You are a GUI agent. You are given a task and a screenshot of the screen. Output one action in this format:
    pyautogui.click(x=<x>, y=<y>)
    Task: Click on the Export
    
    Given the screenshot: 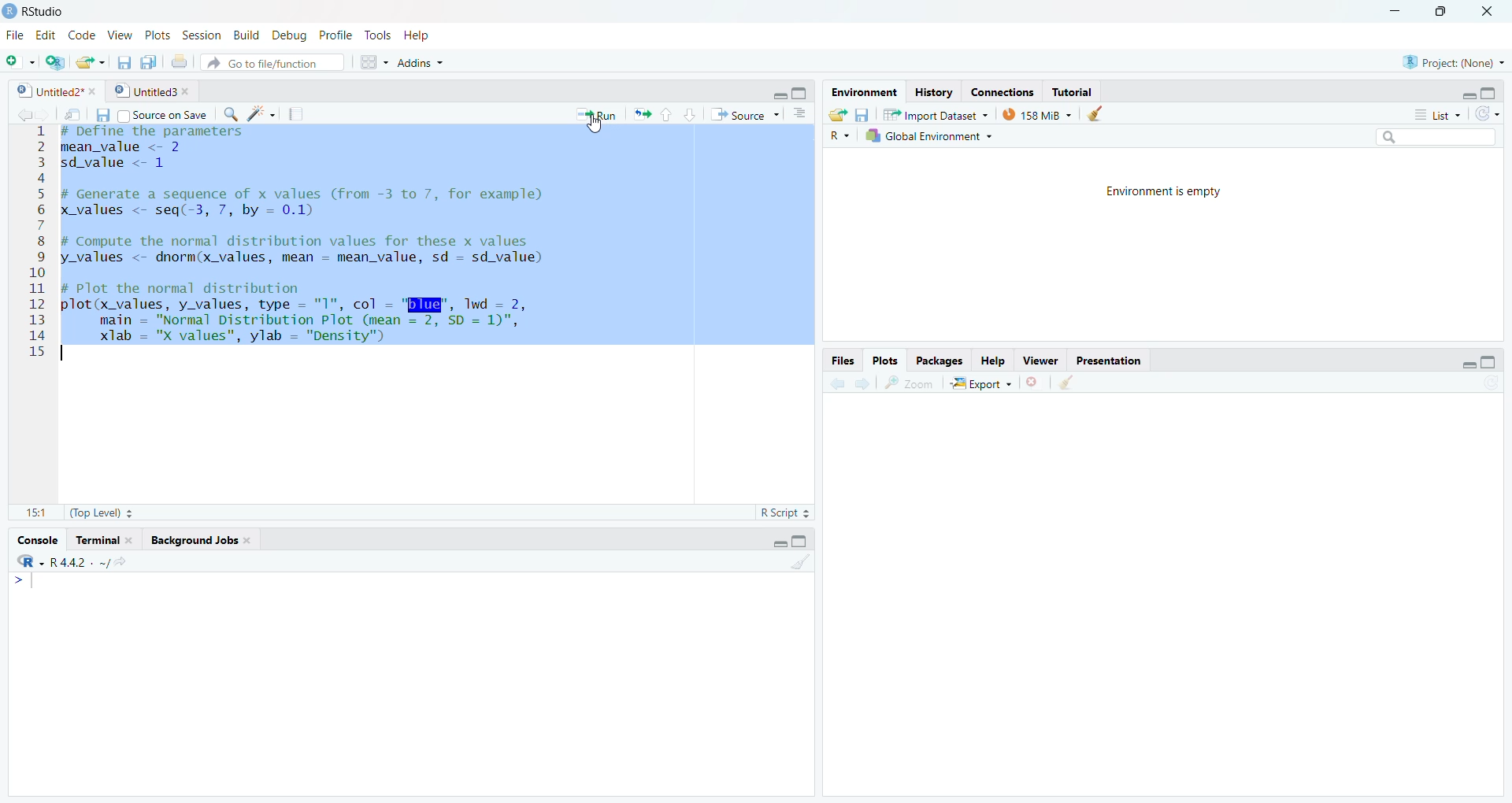 What is the action you would take?
    pyautogui.click(x=984, y=381)
    